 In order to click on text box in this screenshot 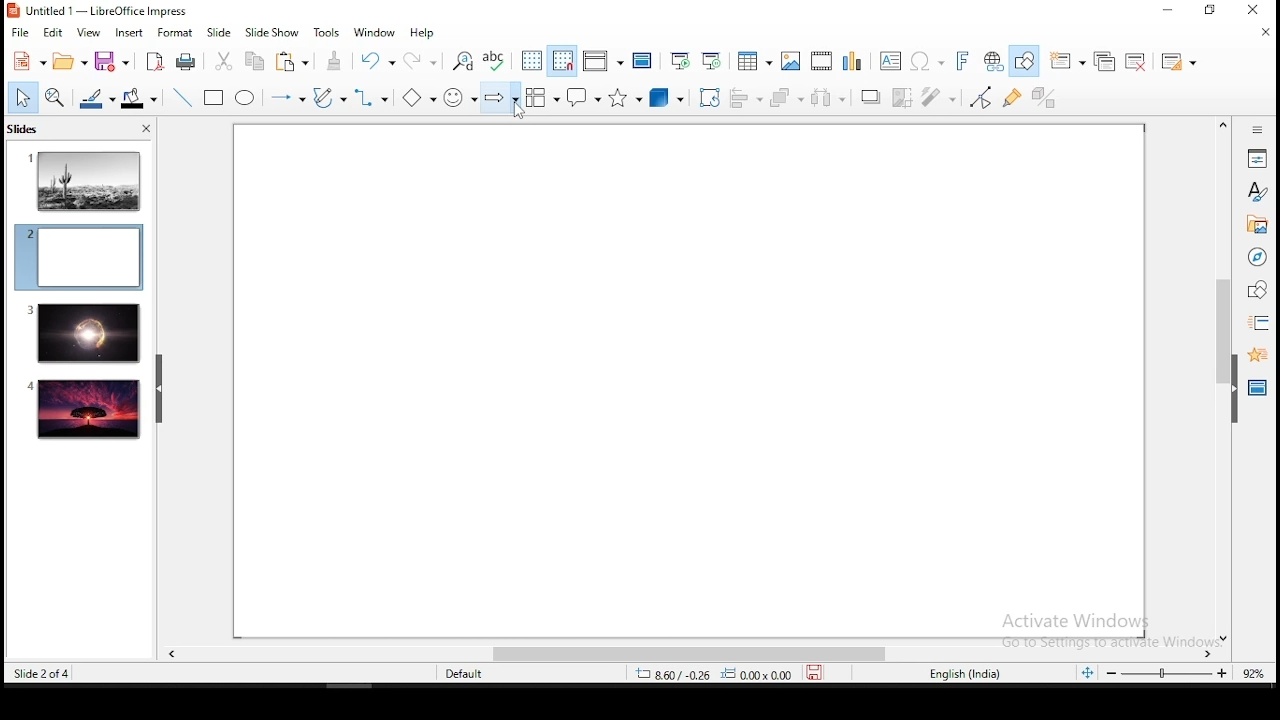, I will do `click(890, 61)`.